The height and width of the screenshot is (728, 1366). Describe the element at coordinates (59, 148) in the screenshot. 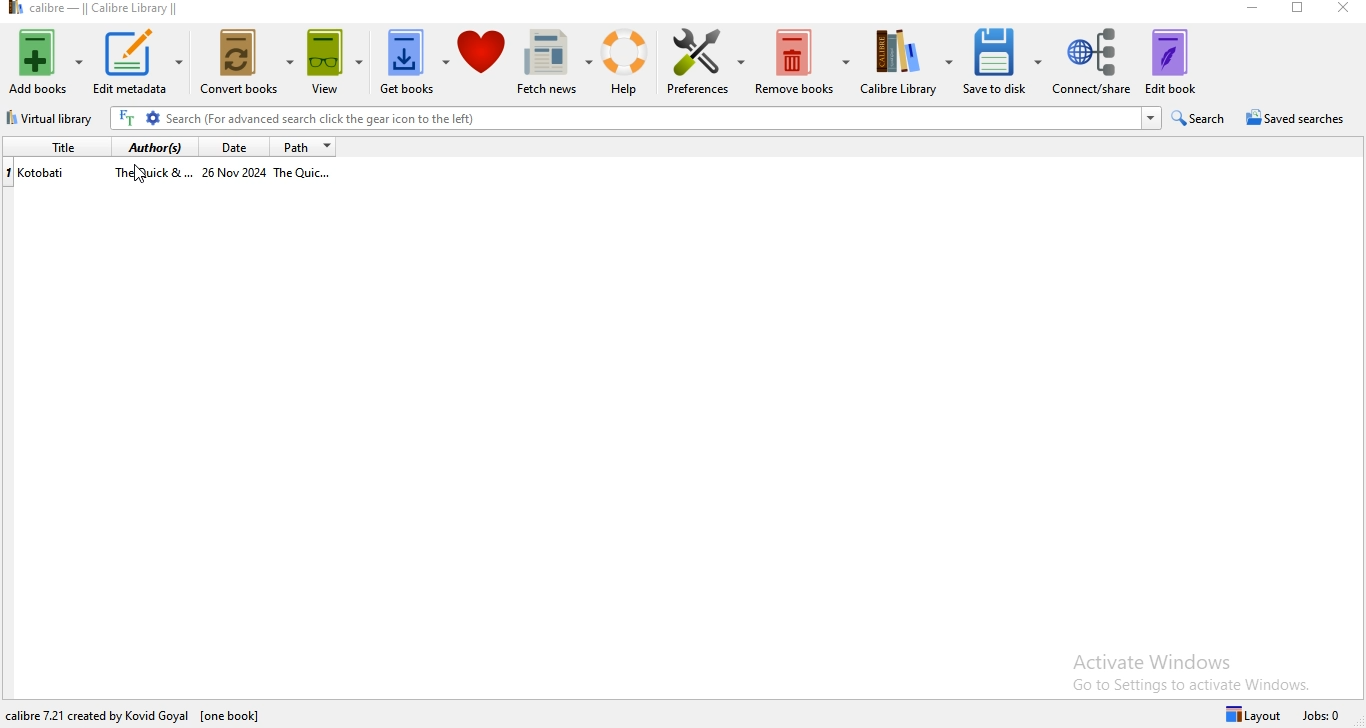

I see `title` at that location.